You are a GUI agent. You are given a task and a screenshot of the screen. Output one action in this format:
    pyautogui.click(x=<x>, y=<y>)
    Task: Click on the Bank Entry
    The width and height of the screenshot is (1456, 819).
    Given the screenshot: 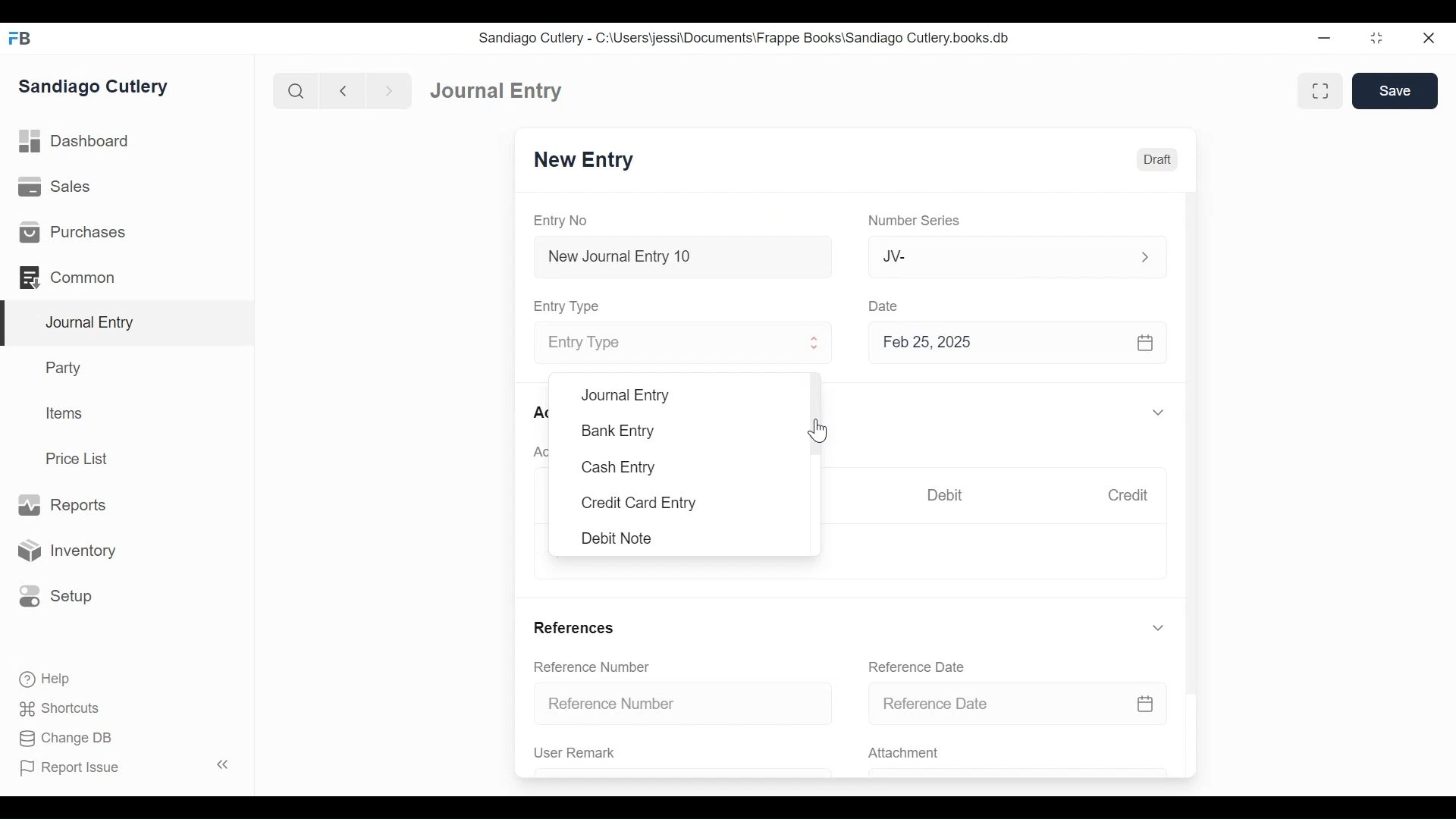 What is the action you would take?
    pyautogui.click(x=619, y=431)
    